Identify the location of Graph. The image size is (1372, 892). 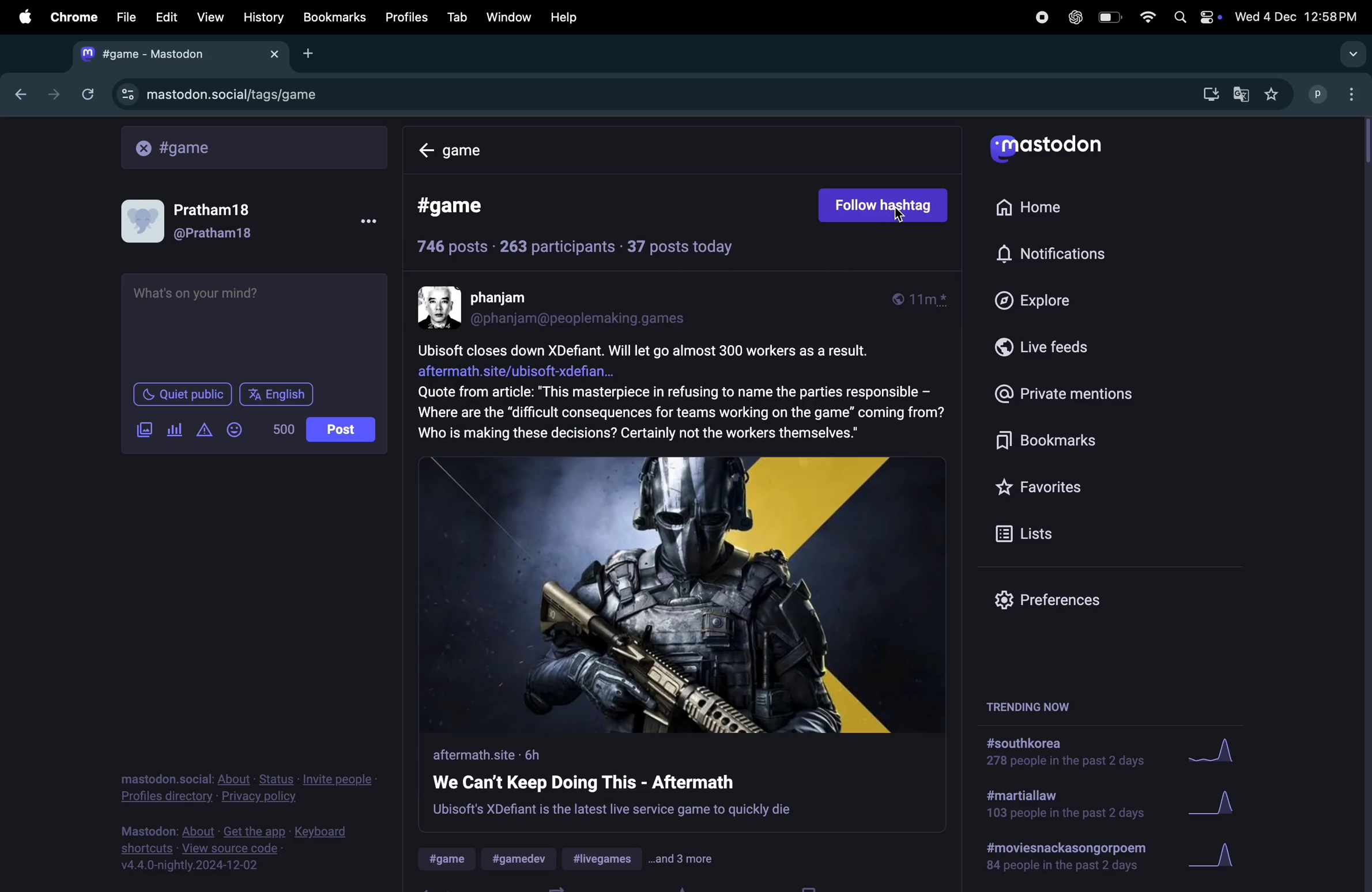
(1215, 803).